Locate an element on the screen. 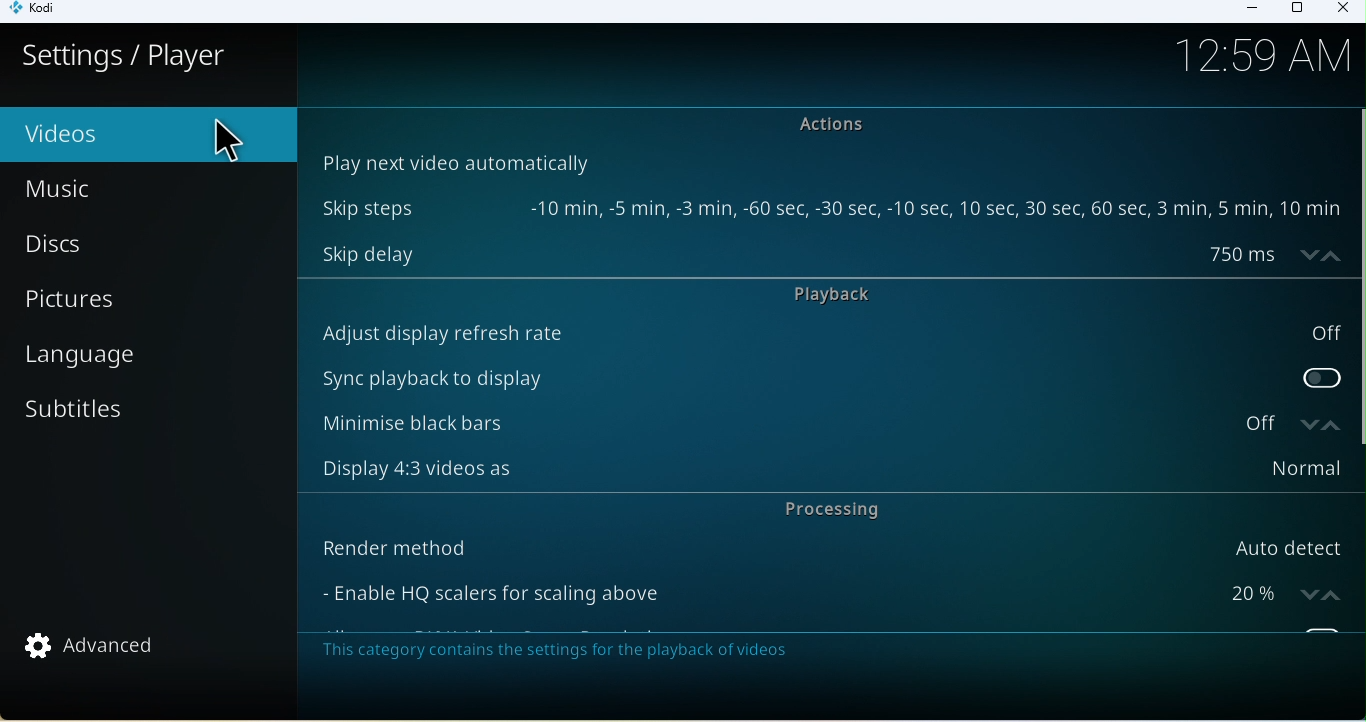  actions is located at coordinates (840, 119).